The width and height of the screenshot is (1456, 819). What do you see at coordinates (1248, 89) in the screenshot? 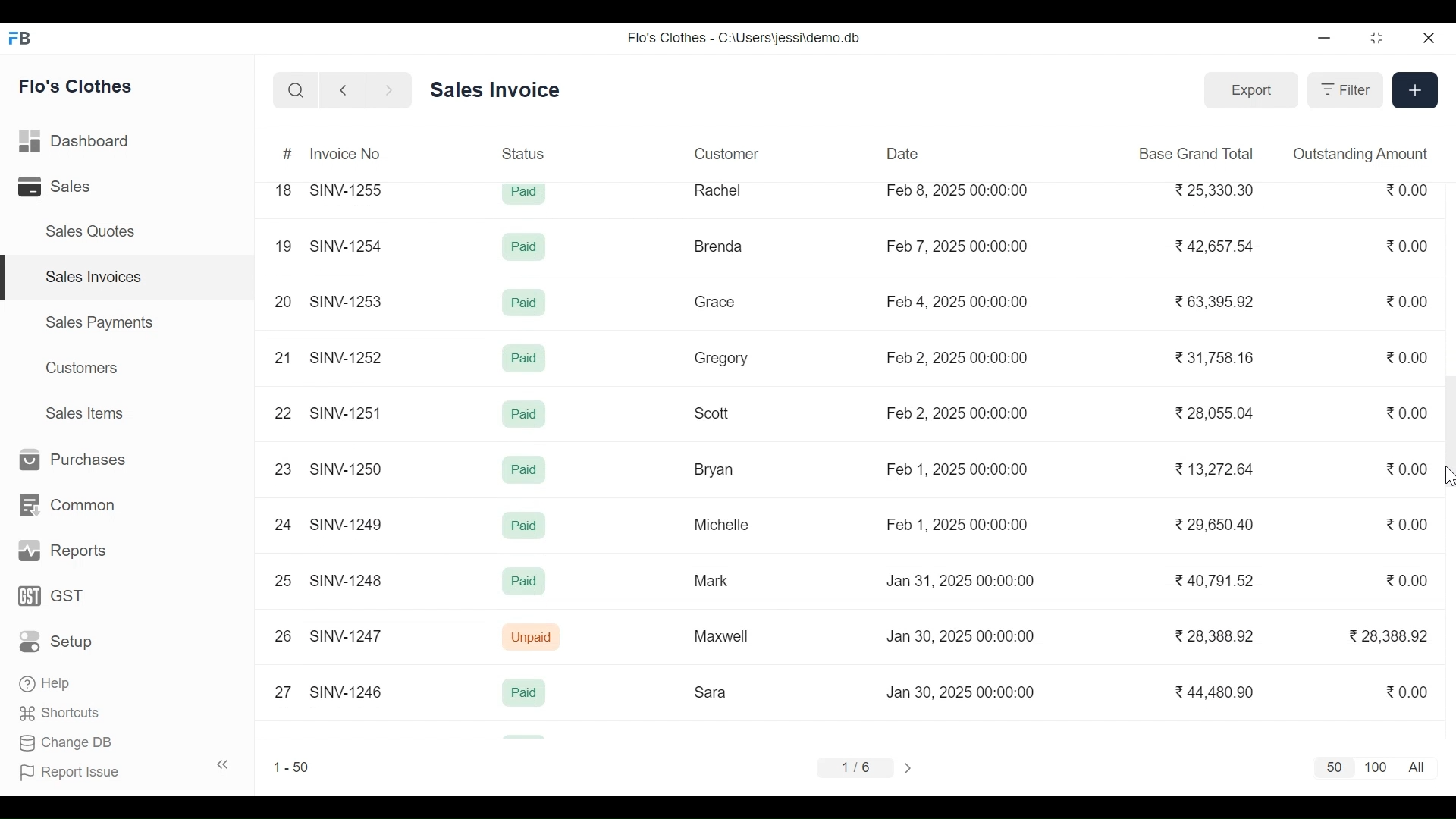
I see `Export` at bounding box center [1248, 89].